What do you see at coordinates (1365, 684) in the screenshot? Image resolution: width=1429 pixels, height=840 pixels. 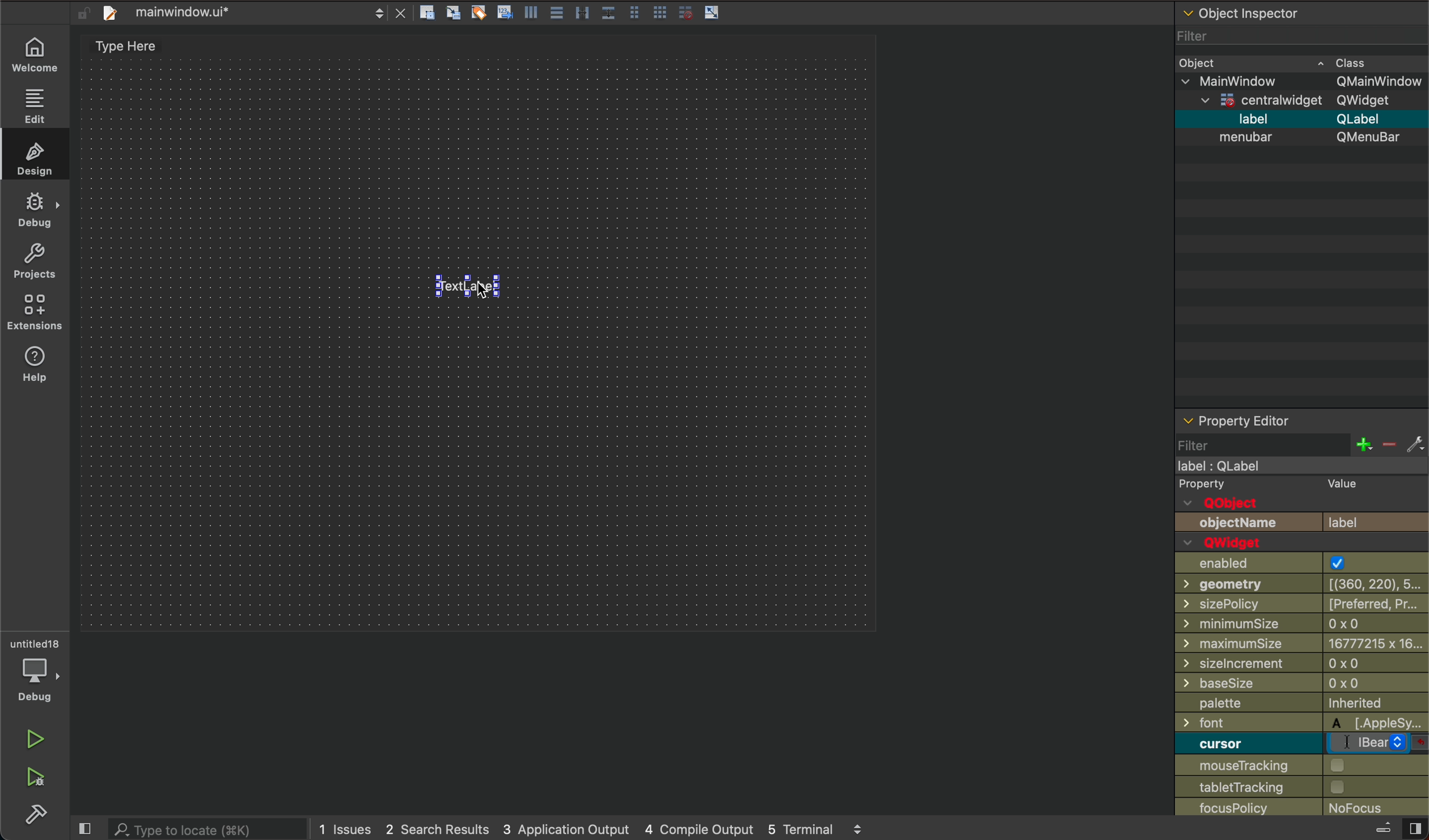 I see `0x0` at bounding box center [1365, 684].